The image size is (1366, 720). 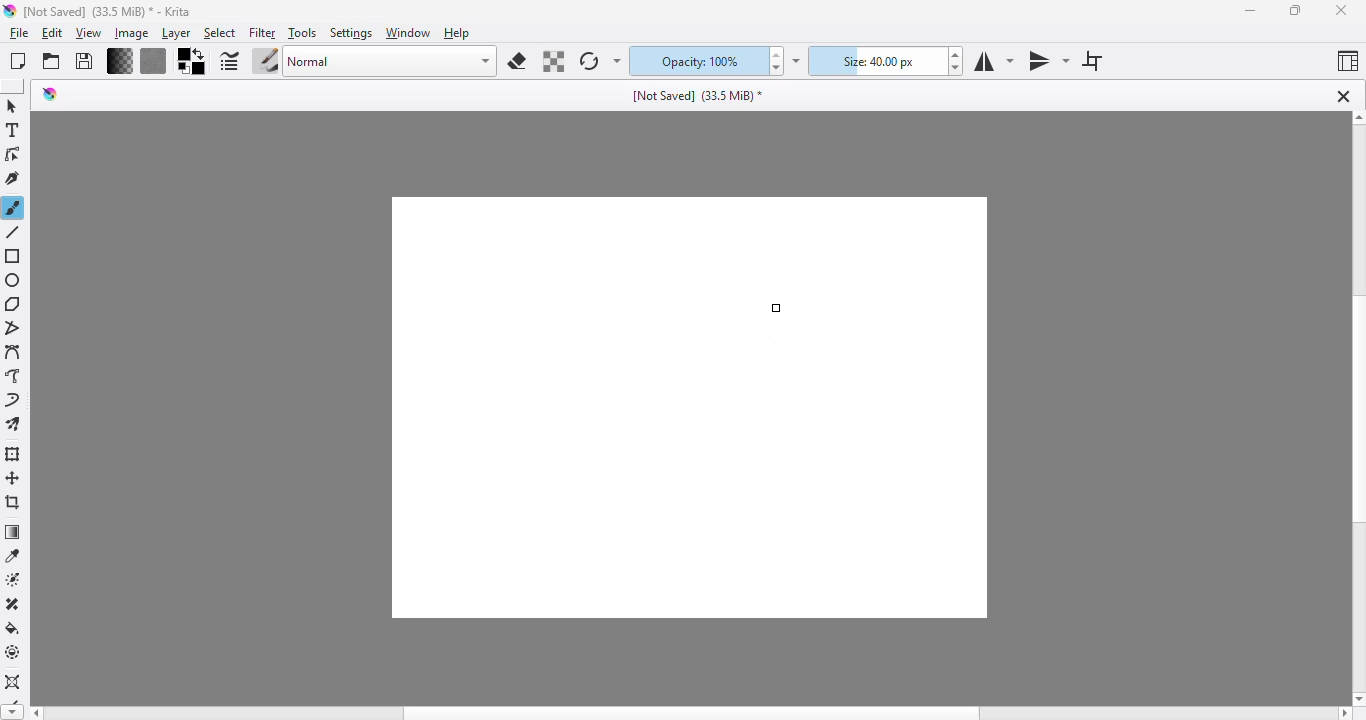 What do you see at coordinates (266, 61) in the screenshot?
I see `choose brush preset` at bounding box center [266, 61].